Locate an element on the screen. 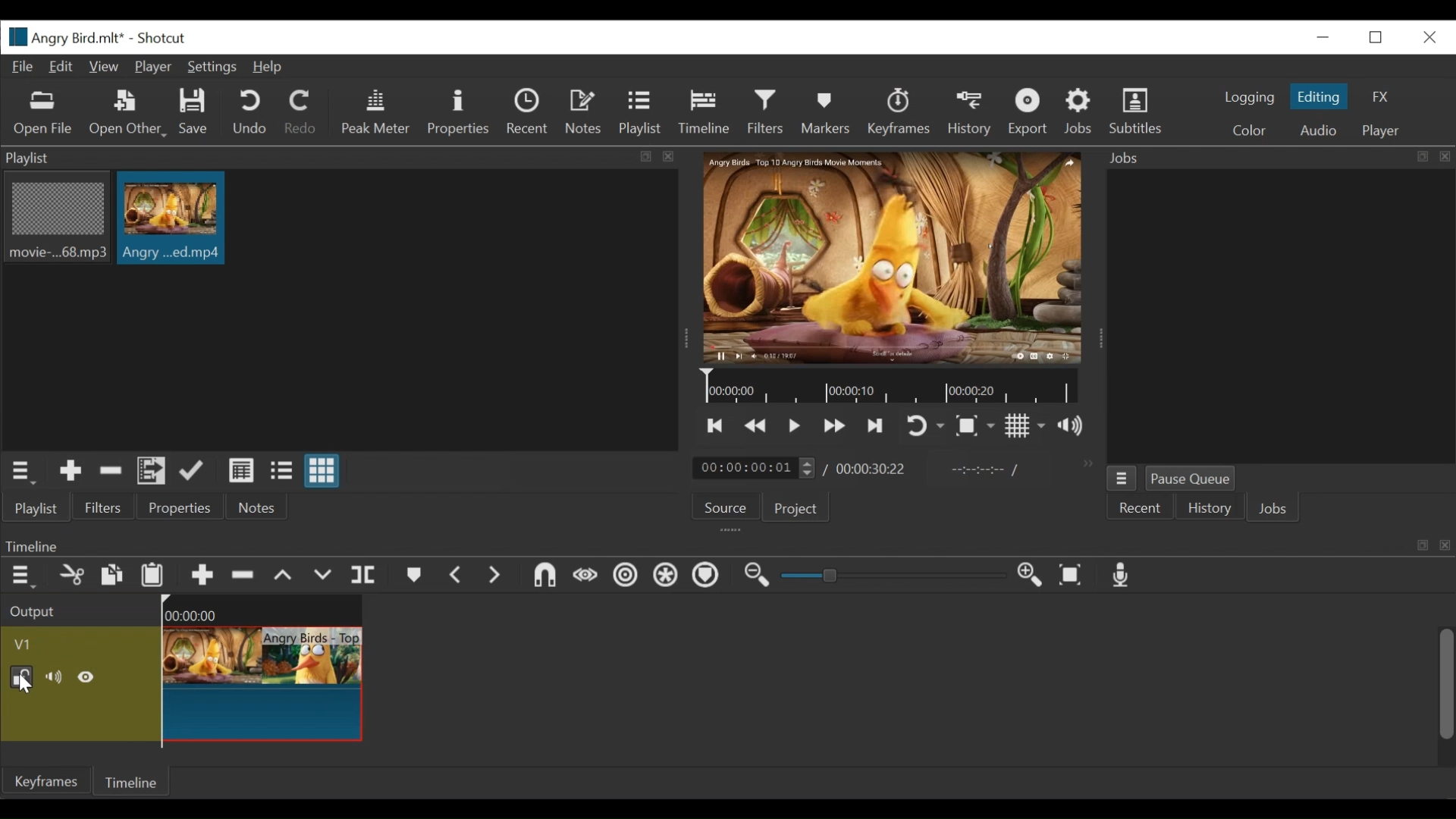 This screenshot has width=1456, height=819. Show volume control is located at coordinates (1076, 426).